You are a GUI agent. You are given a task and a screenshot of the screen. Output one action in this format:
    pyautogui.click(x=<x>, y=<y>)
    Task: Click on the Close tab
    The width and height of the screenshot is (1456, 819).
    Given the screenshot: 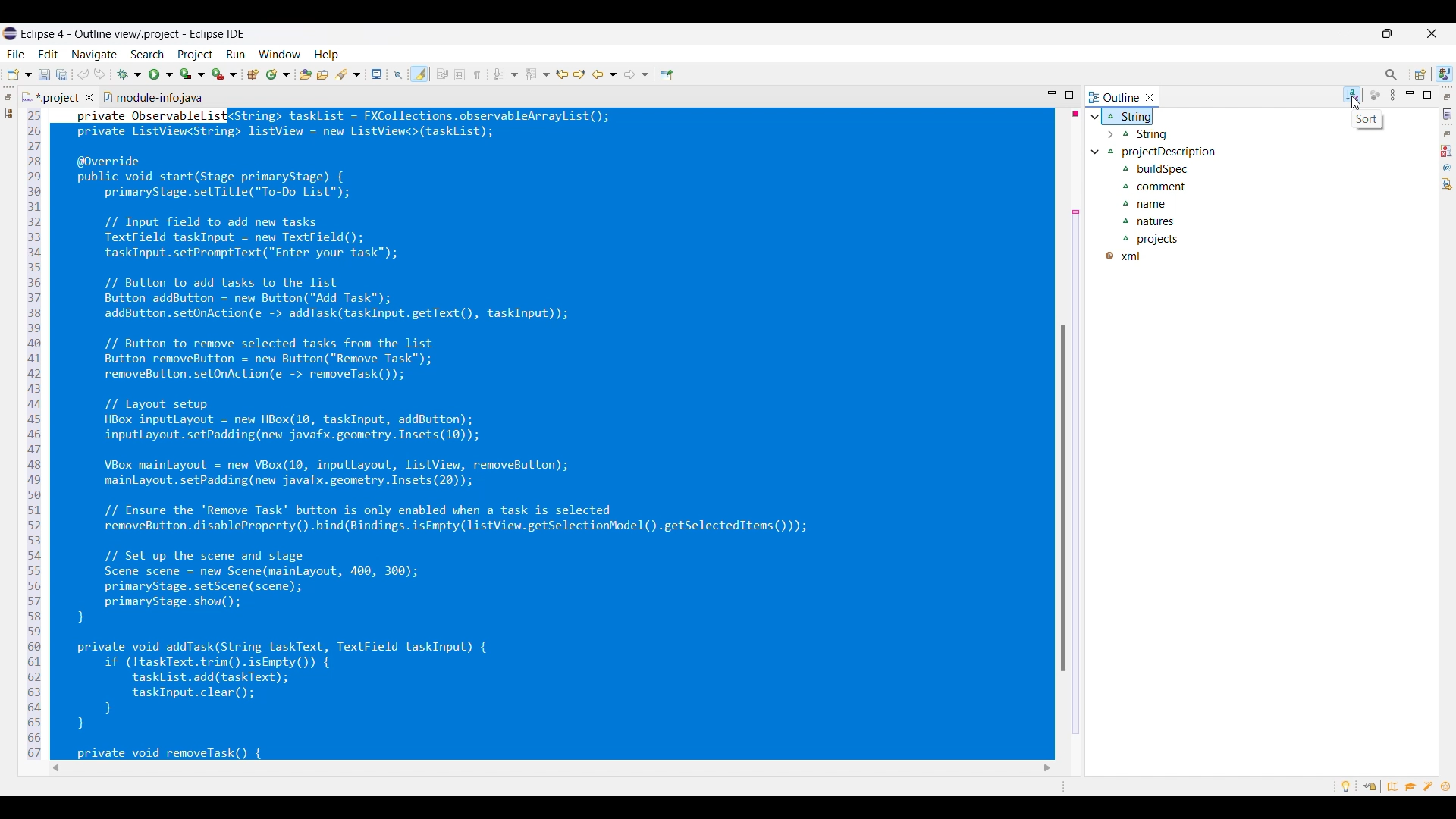 What is the action you would take?
    pyautogui.click(x=89, y=97)
    